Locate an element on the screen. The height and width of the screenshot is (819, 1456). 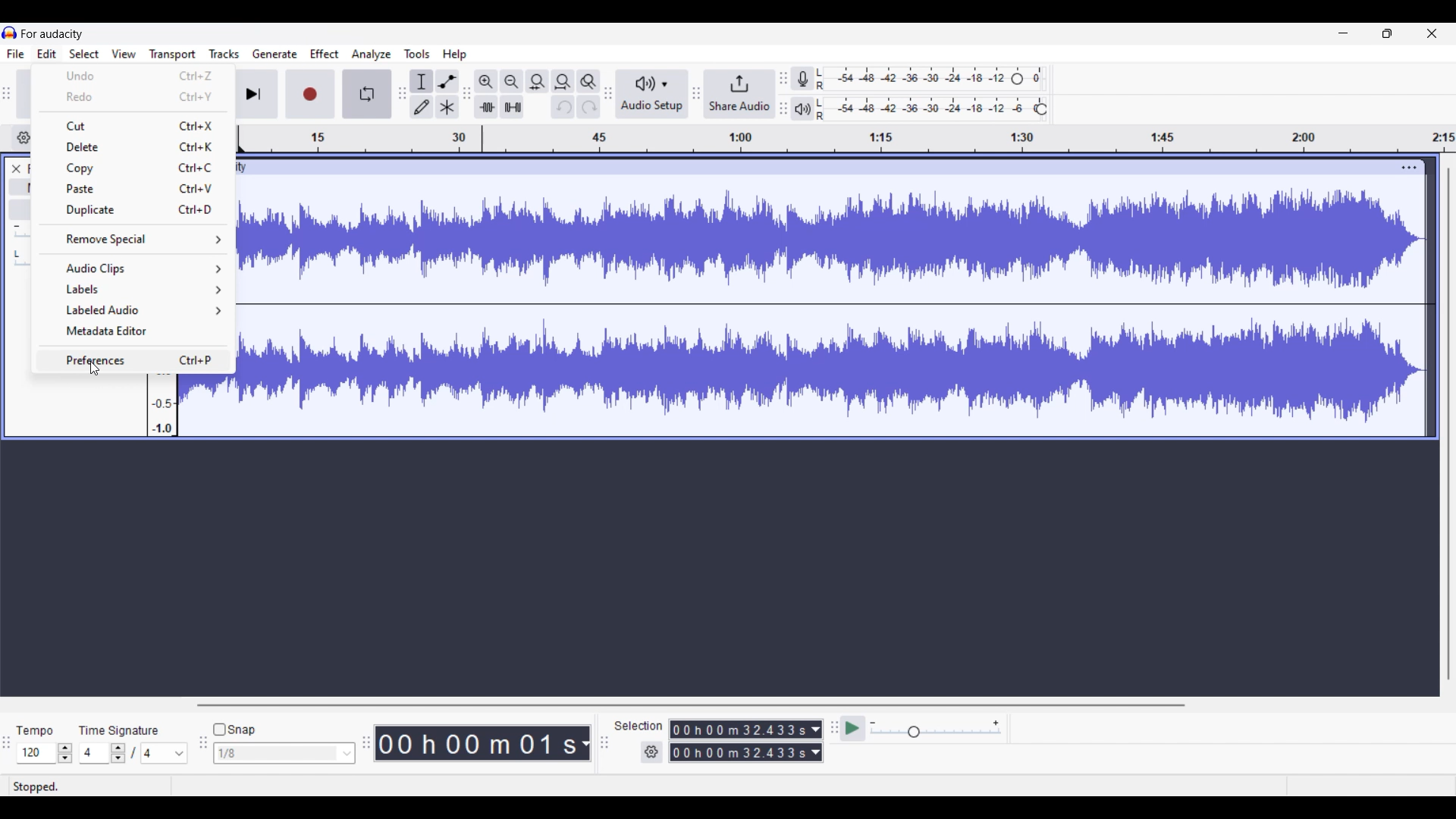
Current timestamp of track is located at coordinates (476, 743).